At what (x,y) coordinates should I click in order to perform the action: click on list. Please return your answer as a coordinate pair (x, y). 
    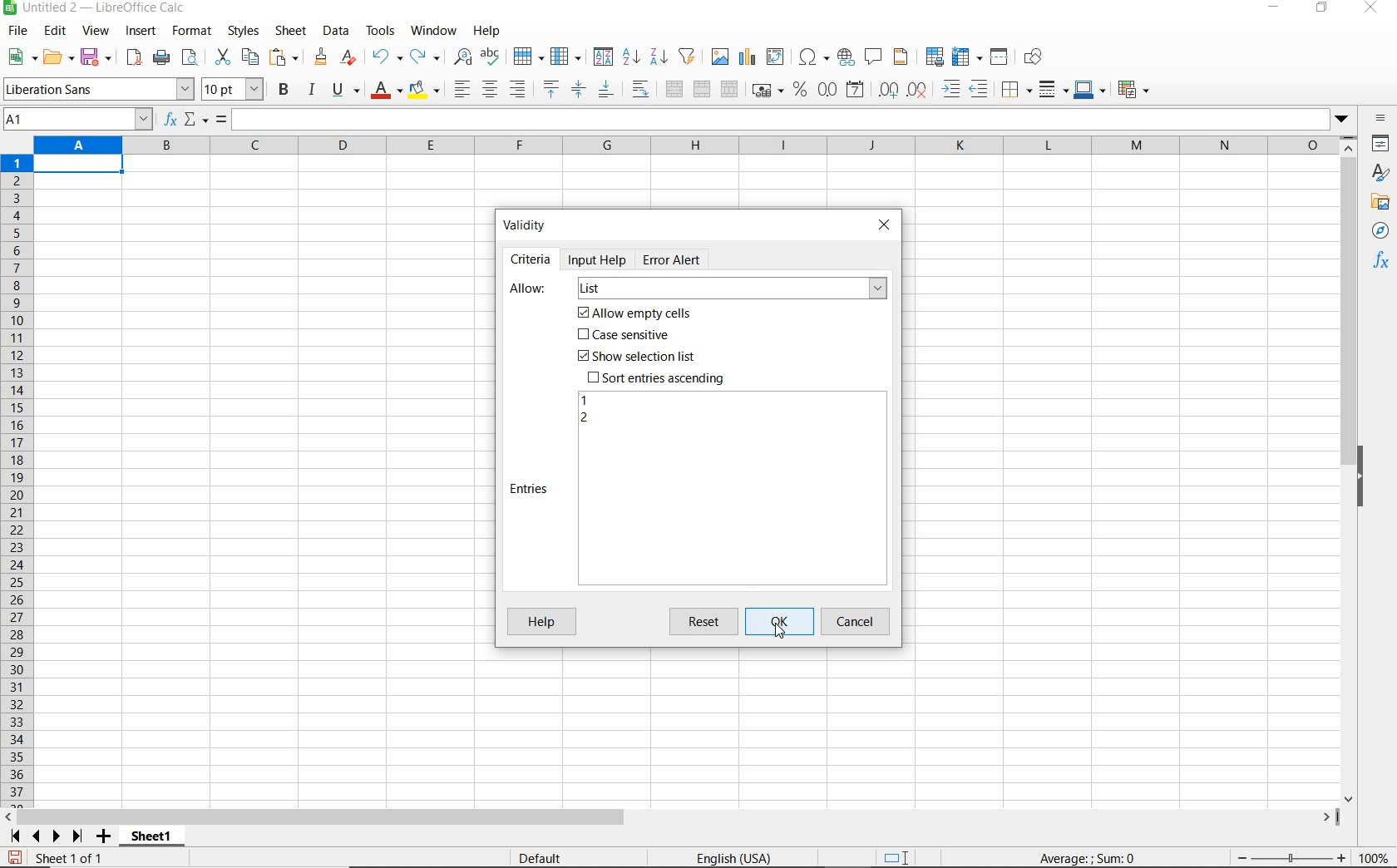
    Looking at the image, I should click on (731, 289).